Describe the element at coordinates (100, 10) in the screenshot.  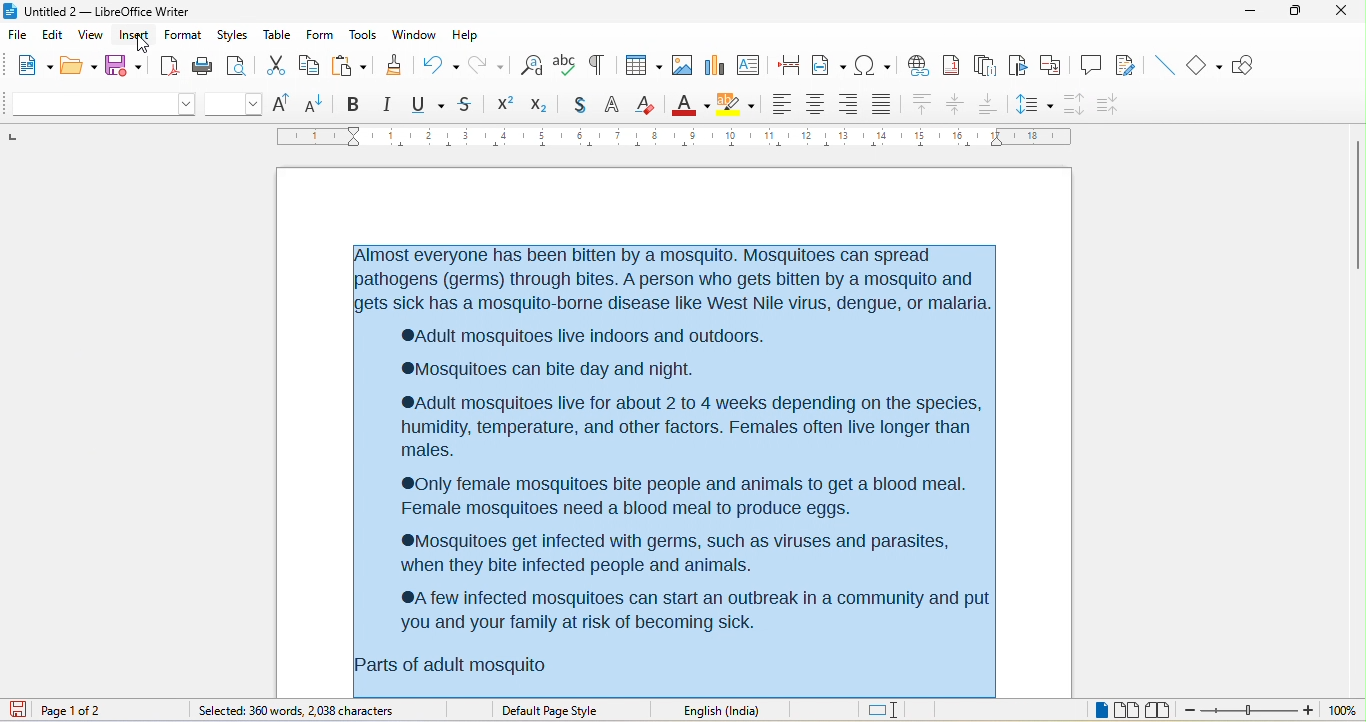
I see `untitled 2 - libreoffice writer` at that location.